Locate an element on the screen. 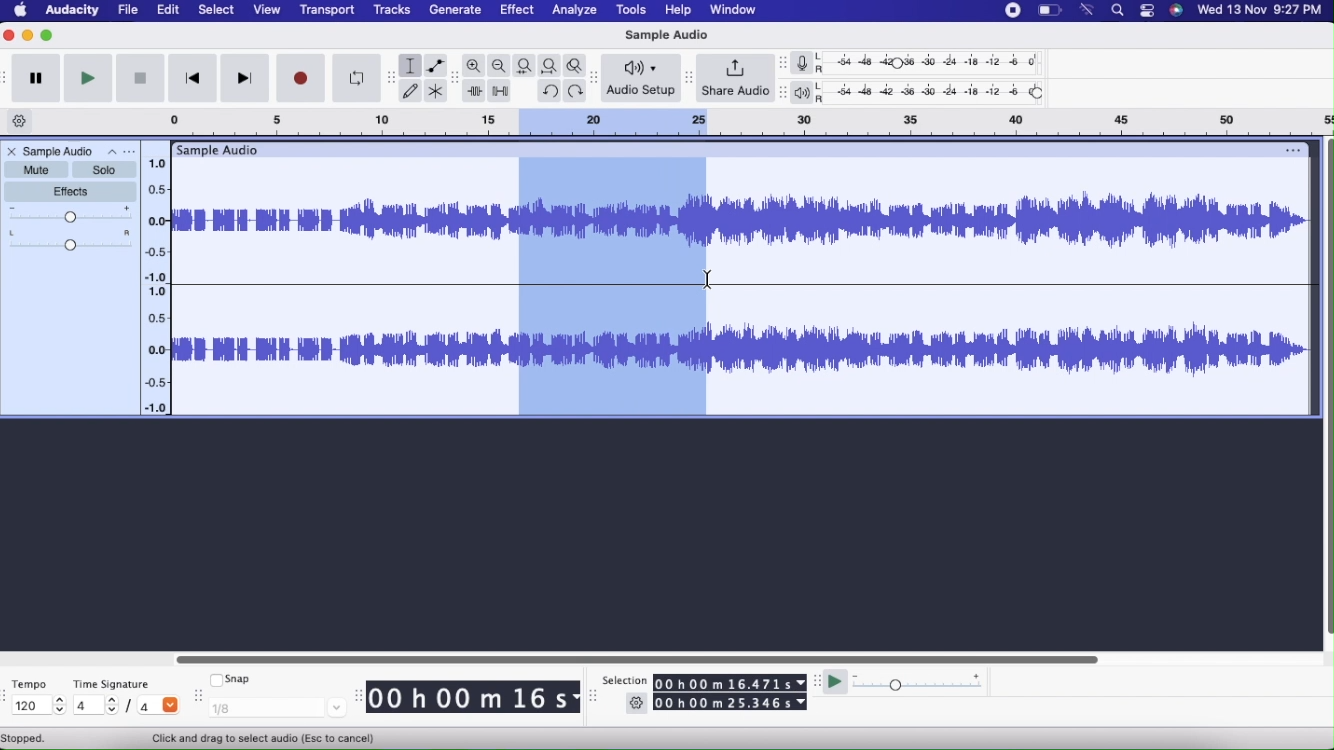 This screenshot has height=750, width=1334. Pan: Center is located at coordinates (71, 240).